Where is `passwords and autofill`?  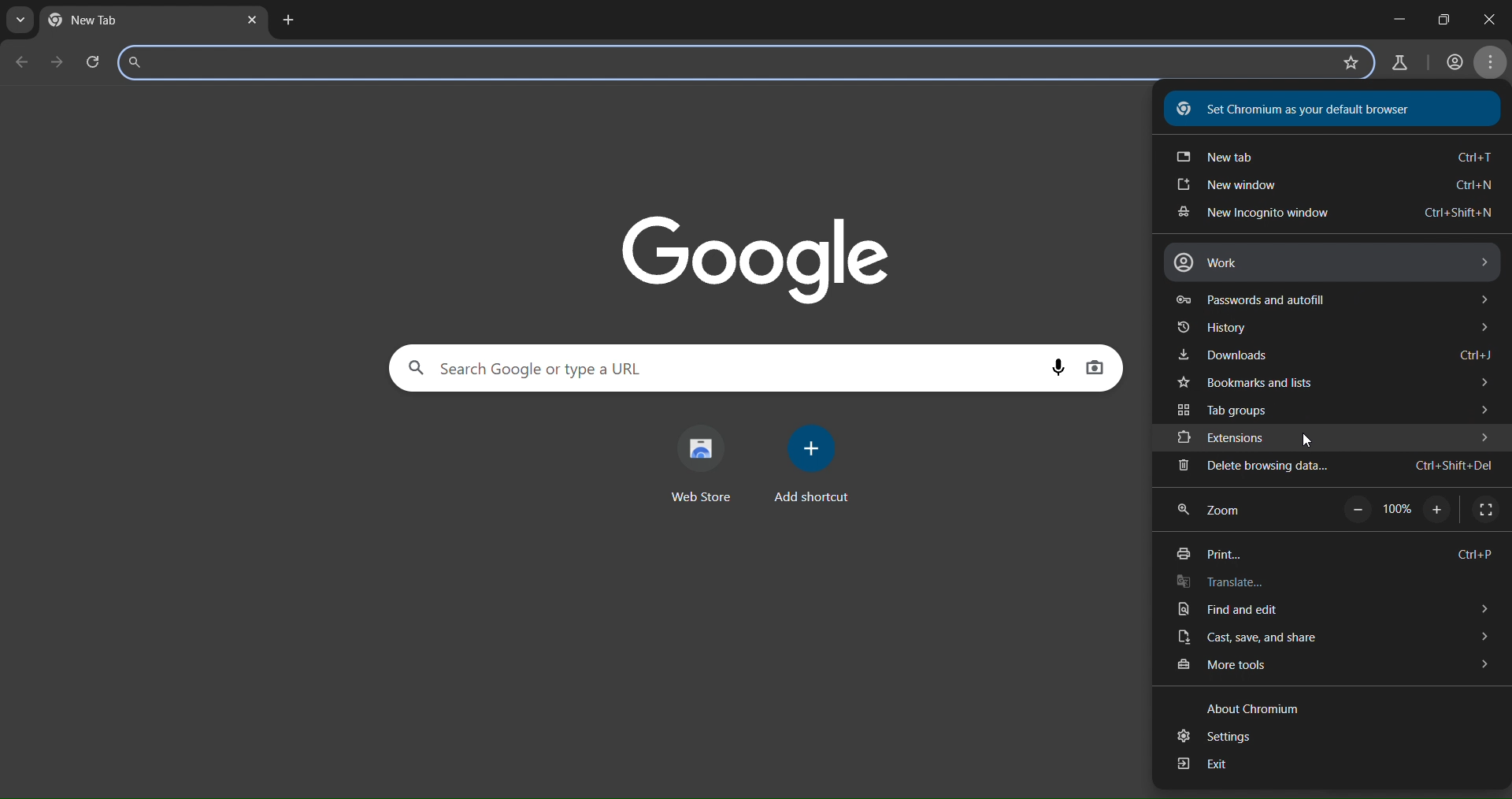
passwords and autofill is located at coordinates (1337, 301).